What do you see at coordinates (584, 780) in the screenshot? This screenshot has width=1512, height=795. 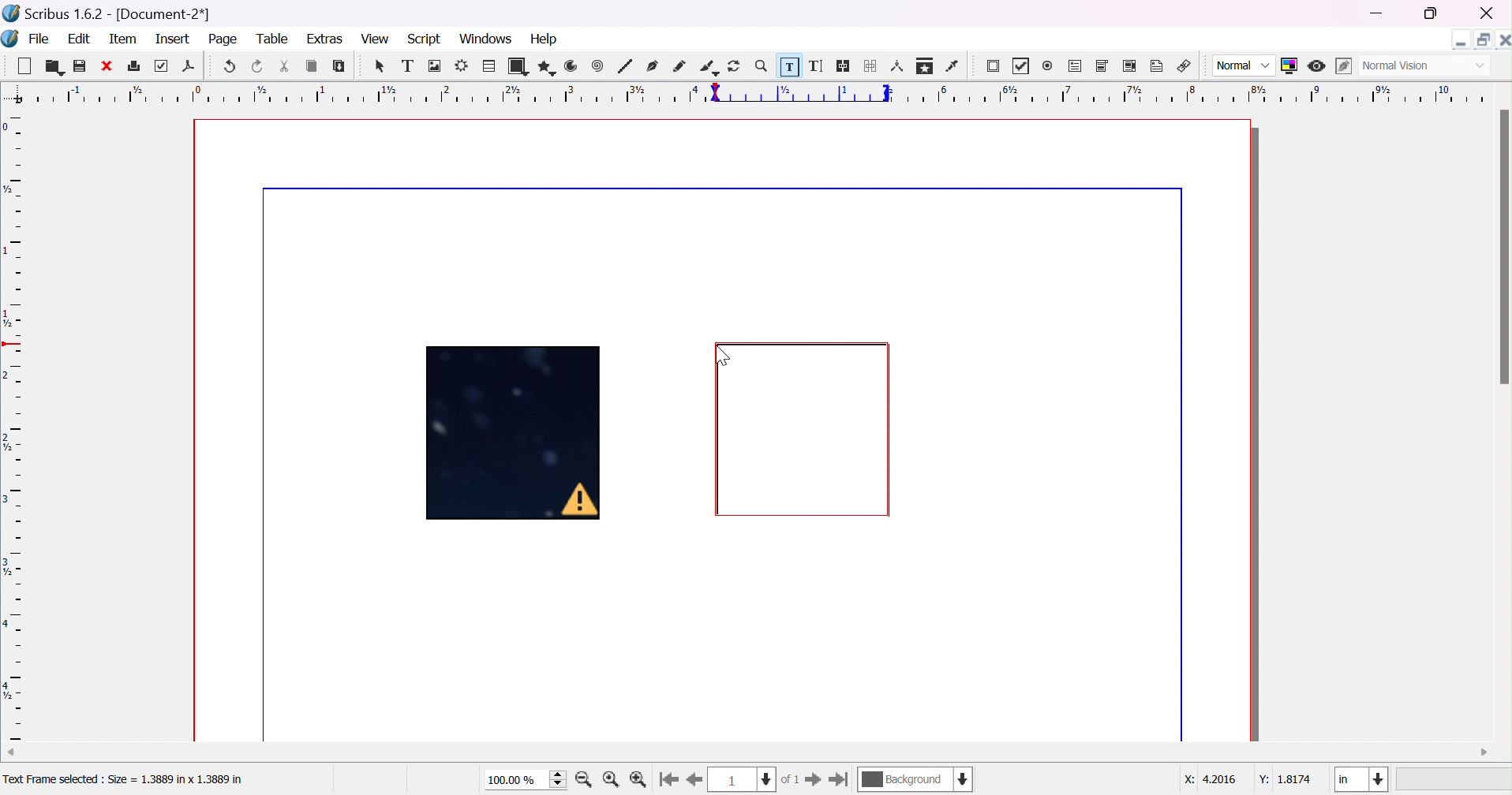 I see `zoom in` at bounding box center [584, 780].